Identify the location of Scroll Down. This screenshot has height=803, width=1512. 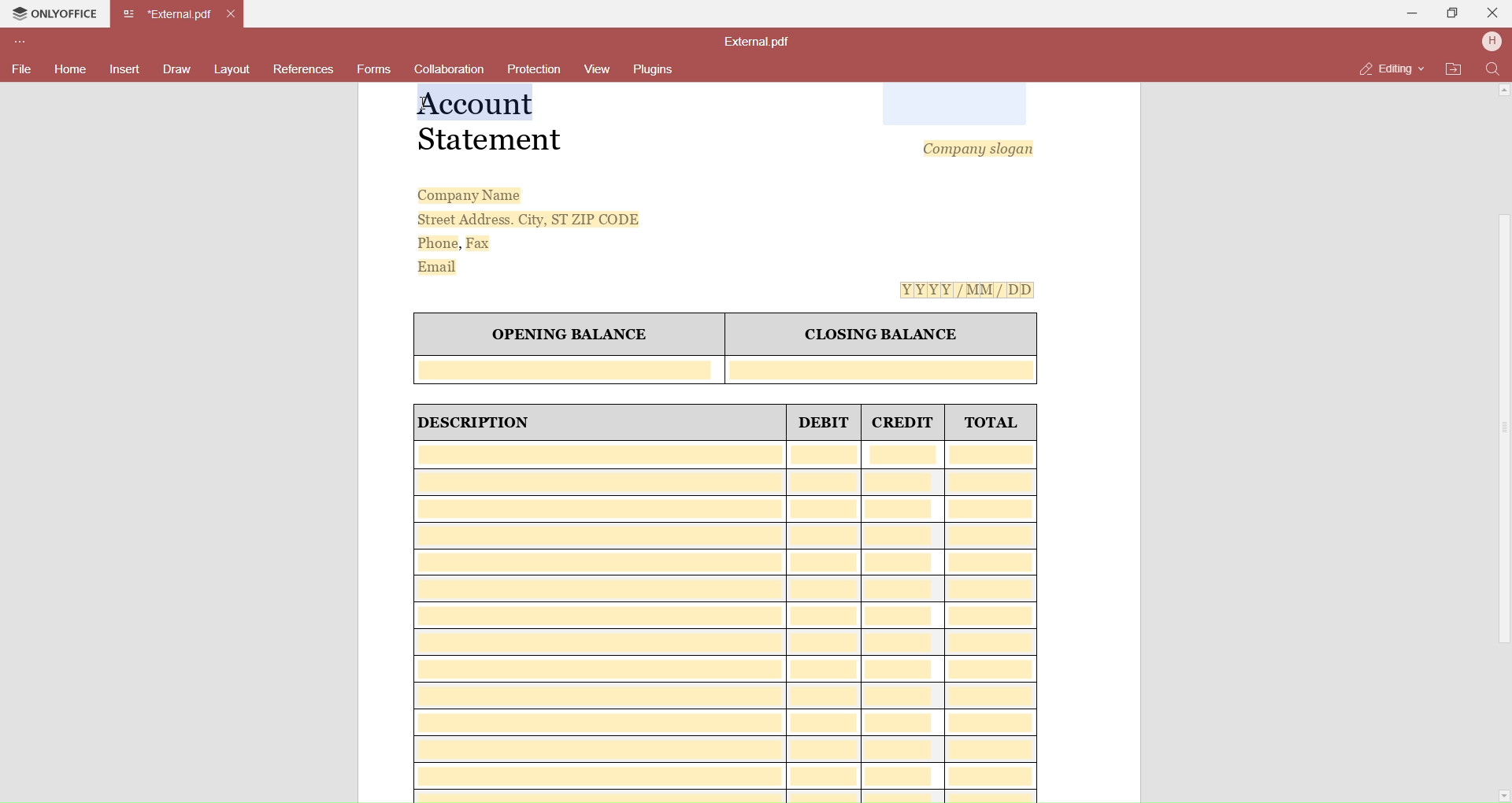
(1501, 794).